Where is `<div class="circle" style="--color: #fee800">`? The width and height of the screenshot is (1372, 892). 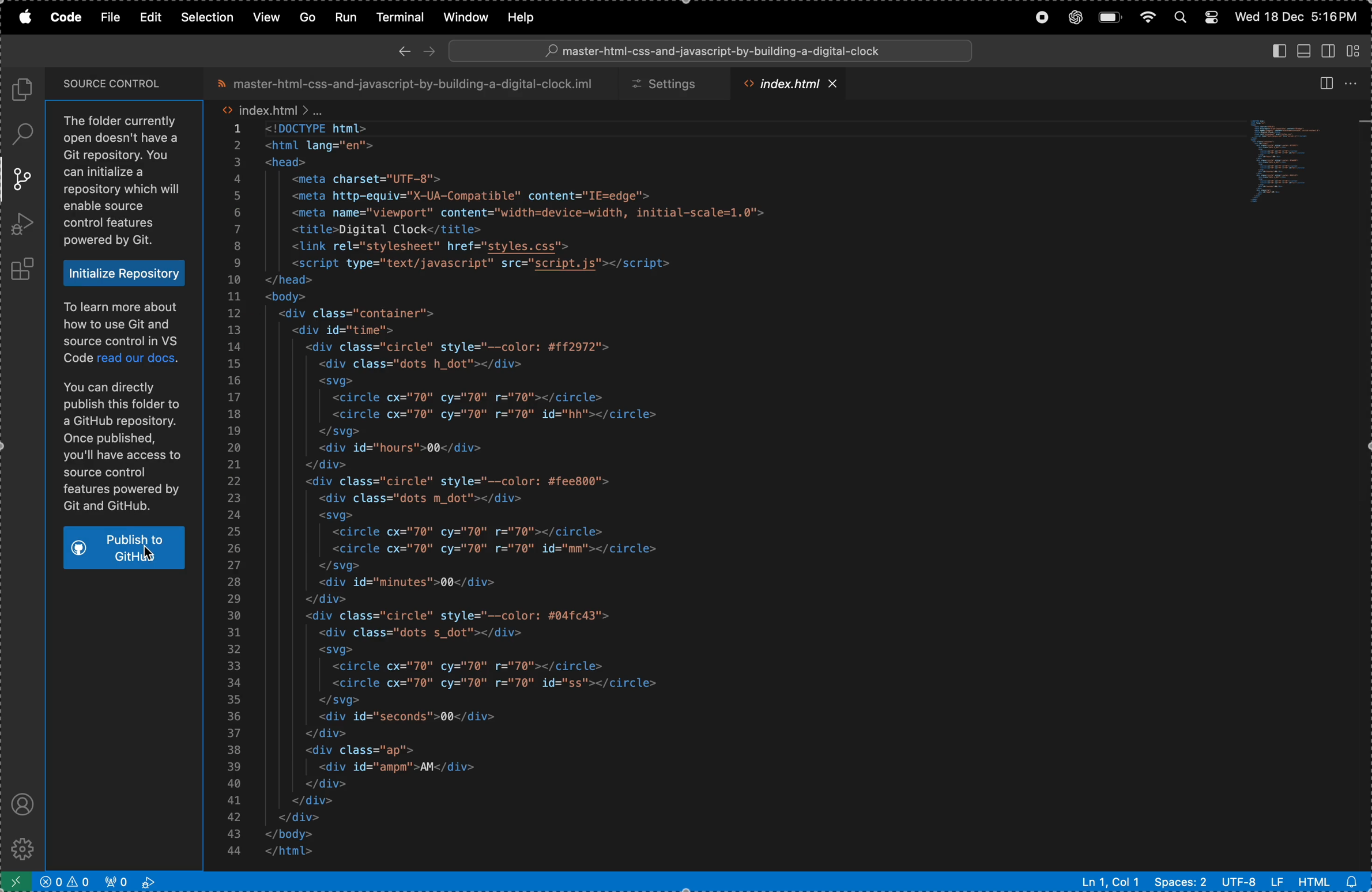 <div class="circle" style="--color: #fee800"> is located at coordinates (458, 482).